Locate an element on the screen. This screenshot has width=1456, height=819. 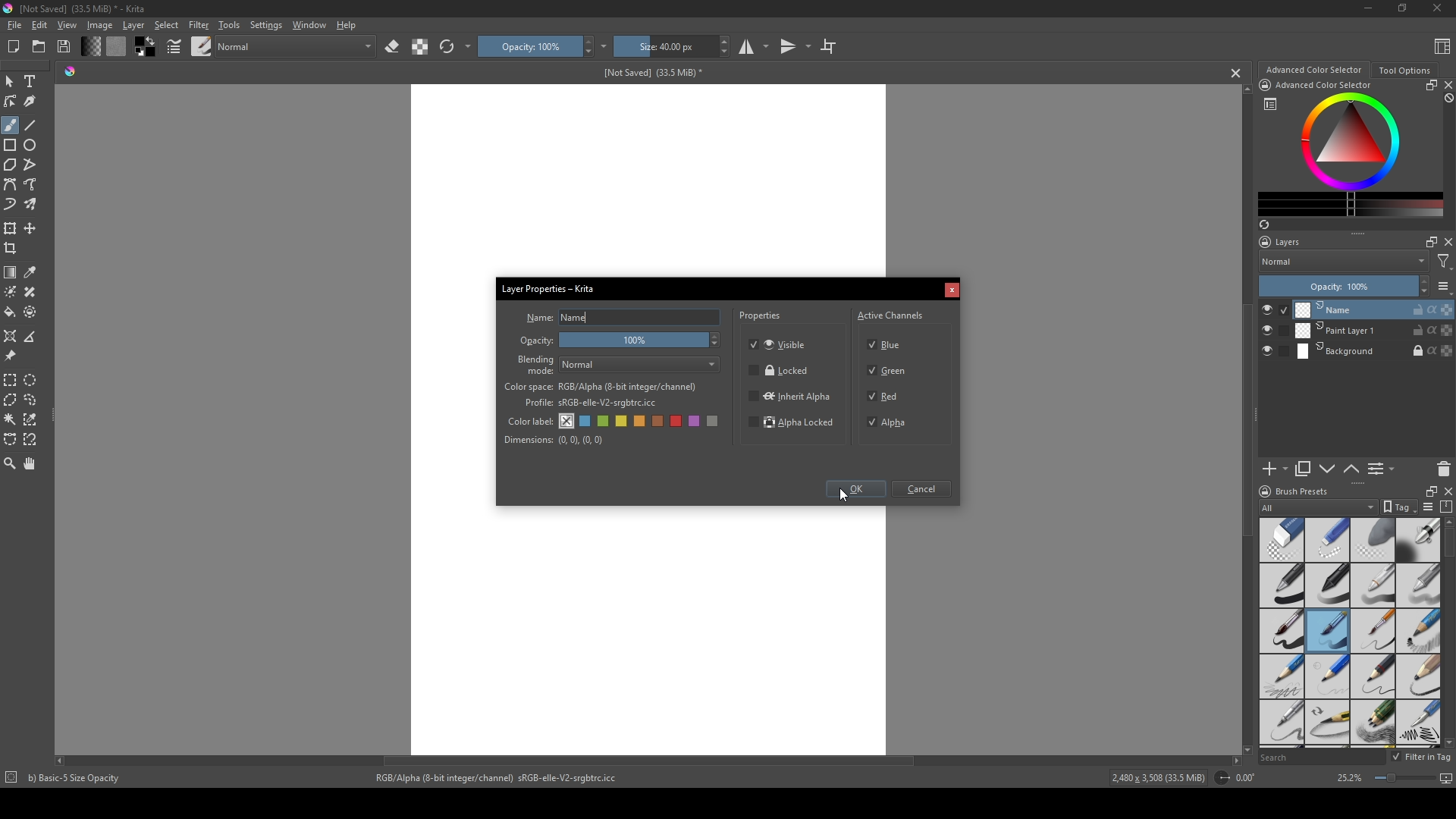
Name is located at coordinates (640, 318).